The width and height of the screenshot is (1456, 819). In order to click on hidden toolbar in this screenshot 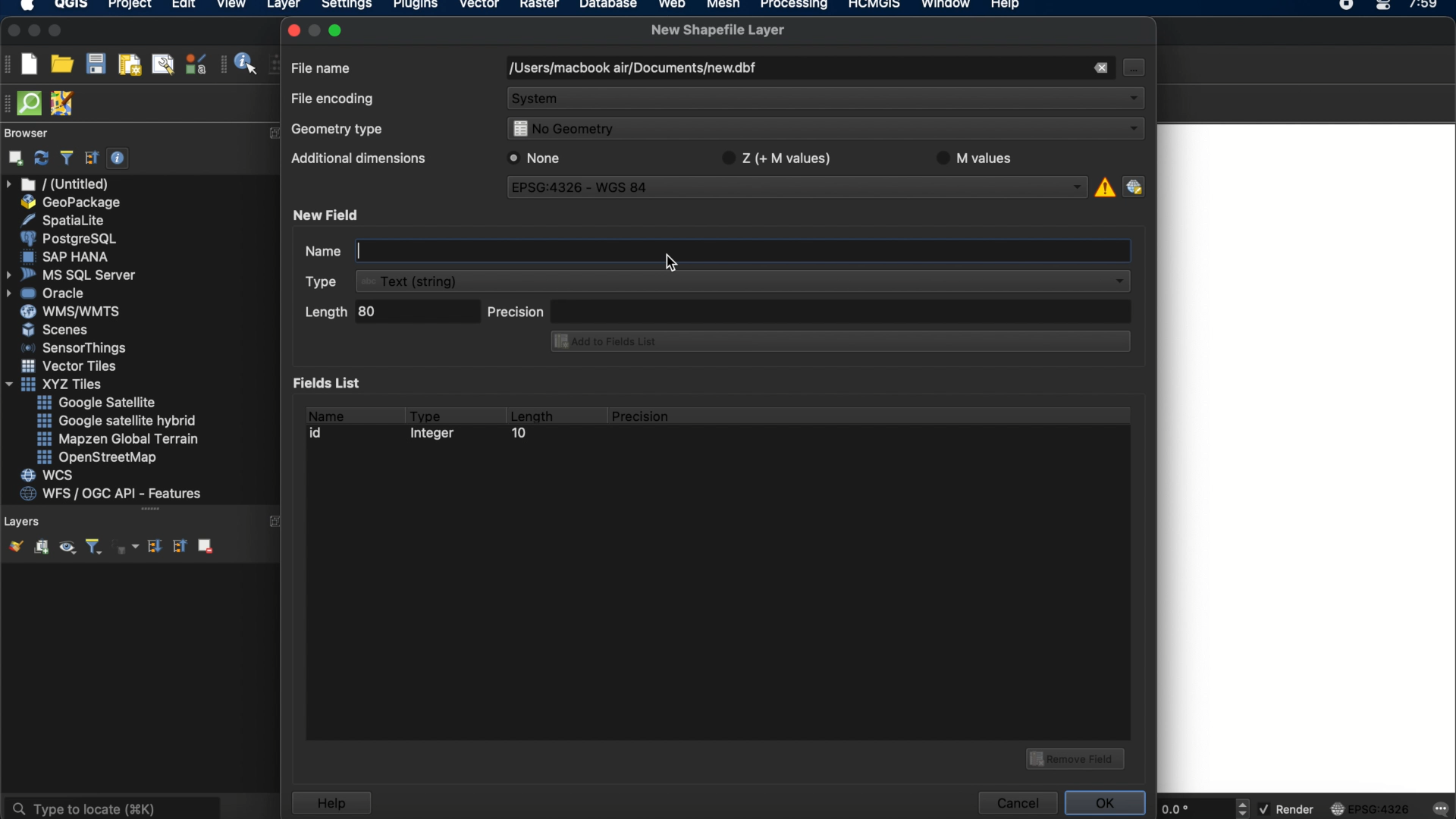, I will do `click(9, 102)`.